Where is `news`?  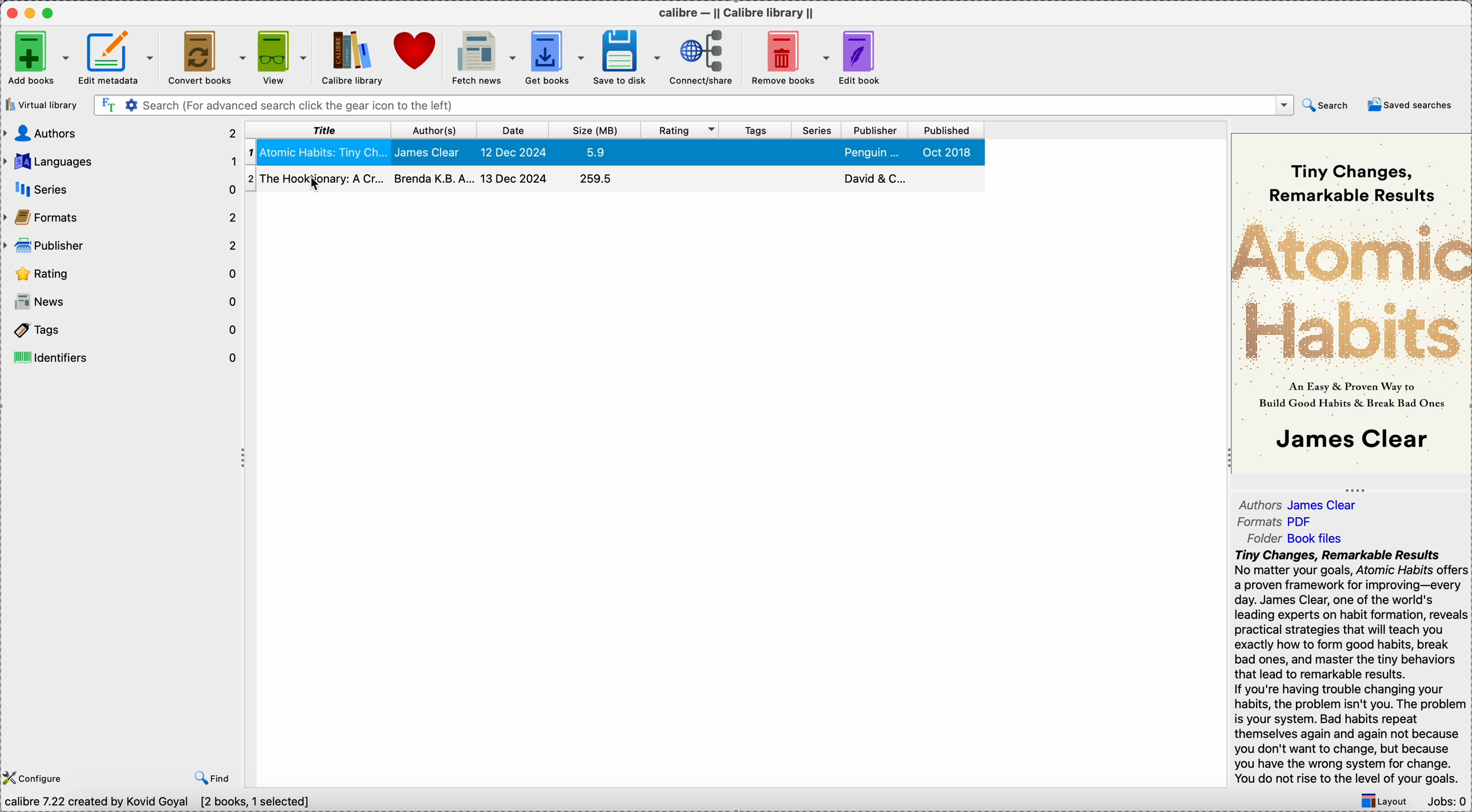
news is located at coordinates (124, 303).